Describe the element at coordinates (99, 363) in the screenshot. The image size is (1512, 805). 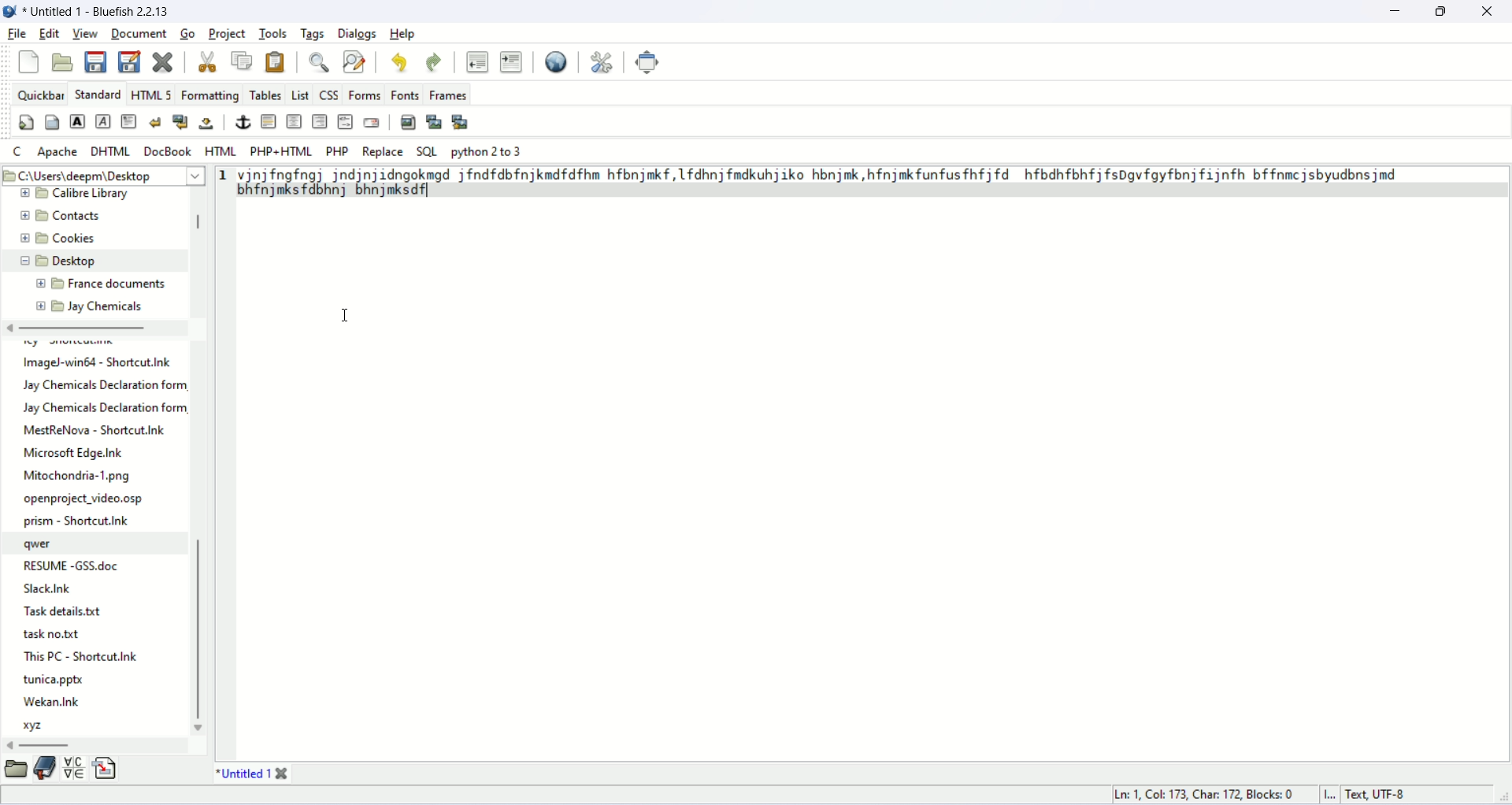
I see `ImageJ-win64 - Shortcut.Ink` at that location.